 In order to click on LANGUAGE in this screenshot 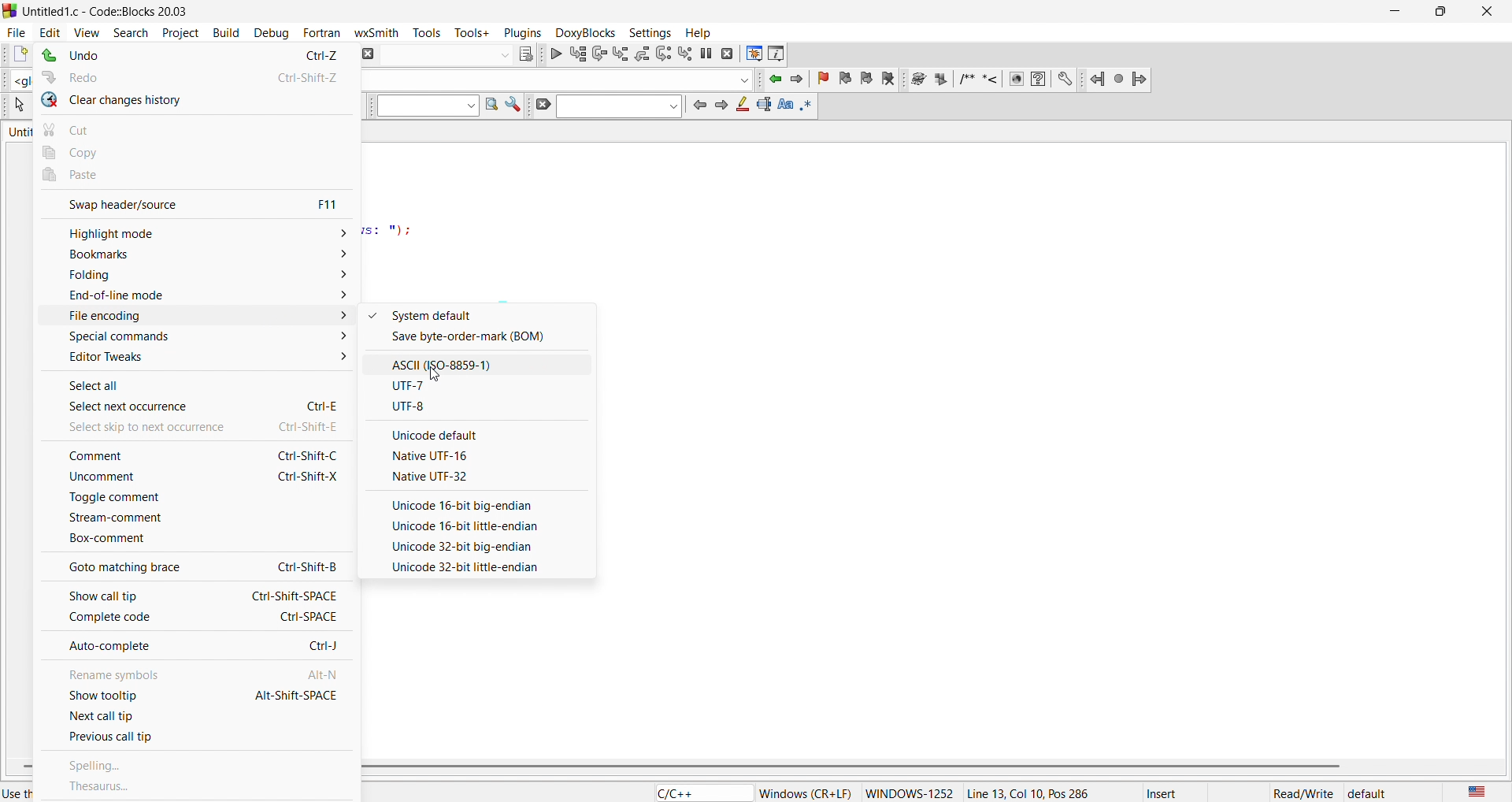, I will do `click(1477, 793)`.